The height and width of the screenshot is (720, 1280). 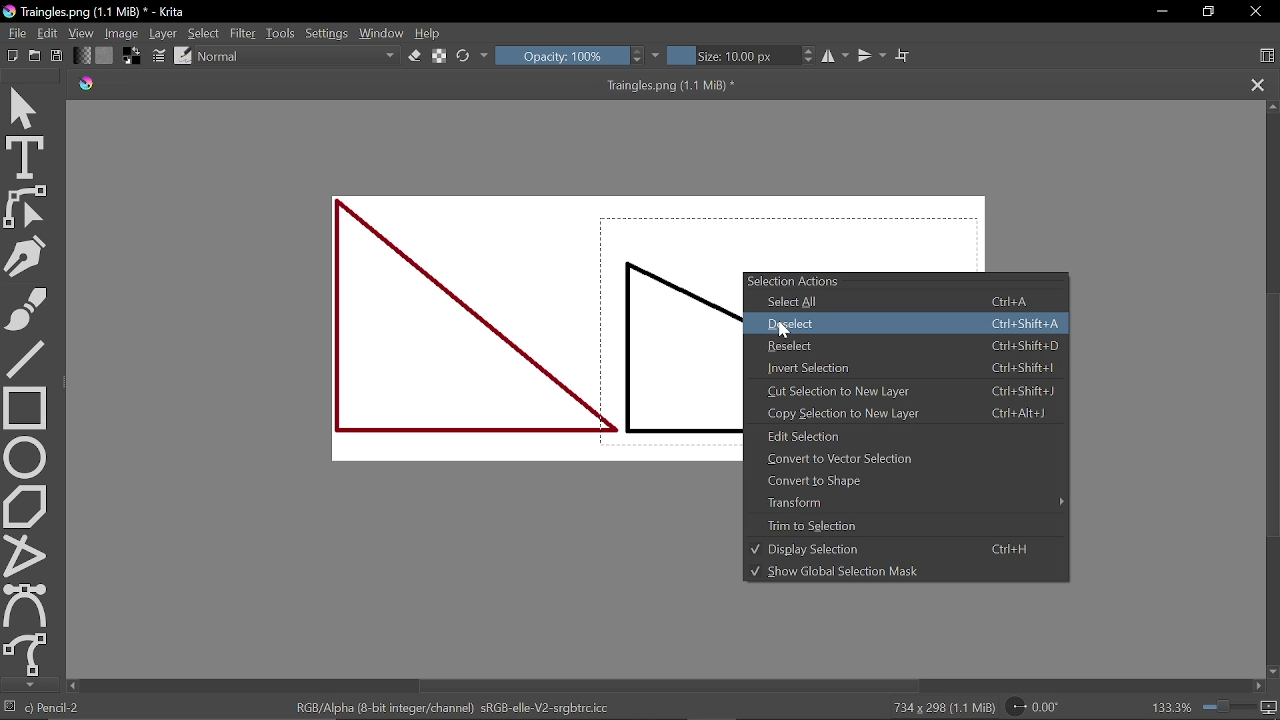 I want to click on opacity: 100%, so click(x=579, y=55).